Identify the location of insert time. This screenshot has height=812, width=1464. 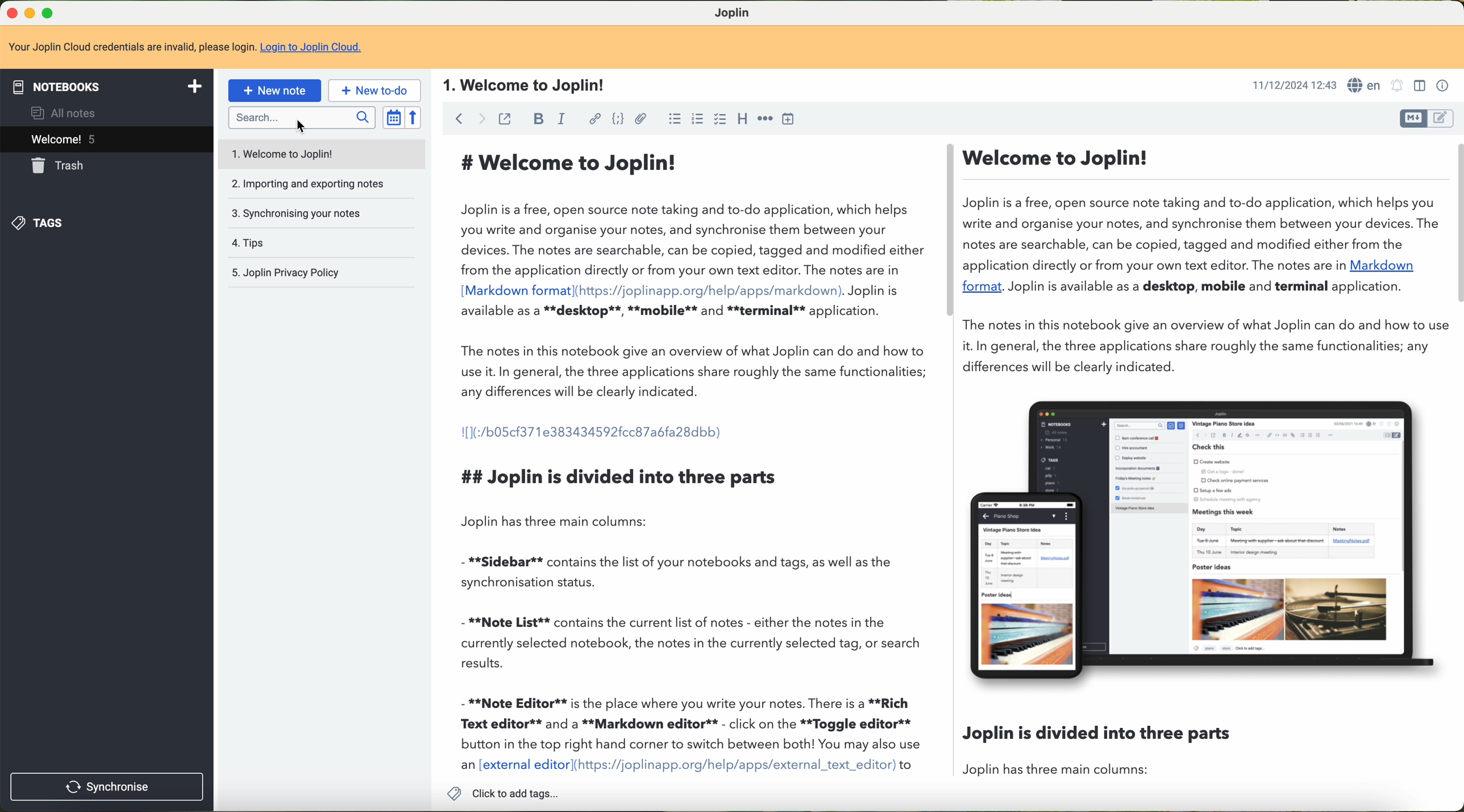
(788, 118).